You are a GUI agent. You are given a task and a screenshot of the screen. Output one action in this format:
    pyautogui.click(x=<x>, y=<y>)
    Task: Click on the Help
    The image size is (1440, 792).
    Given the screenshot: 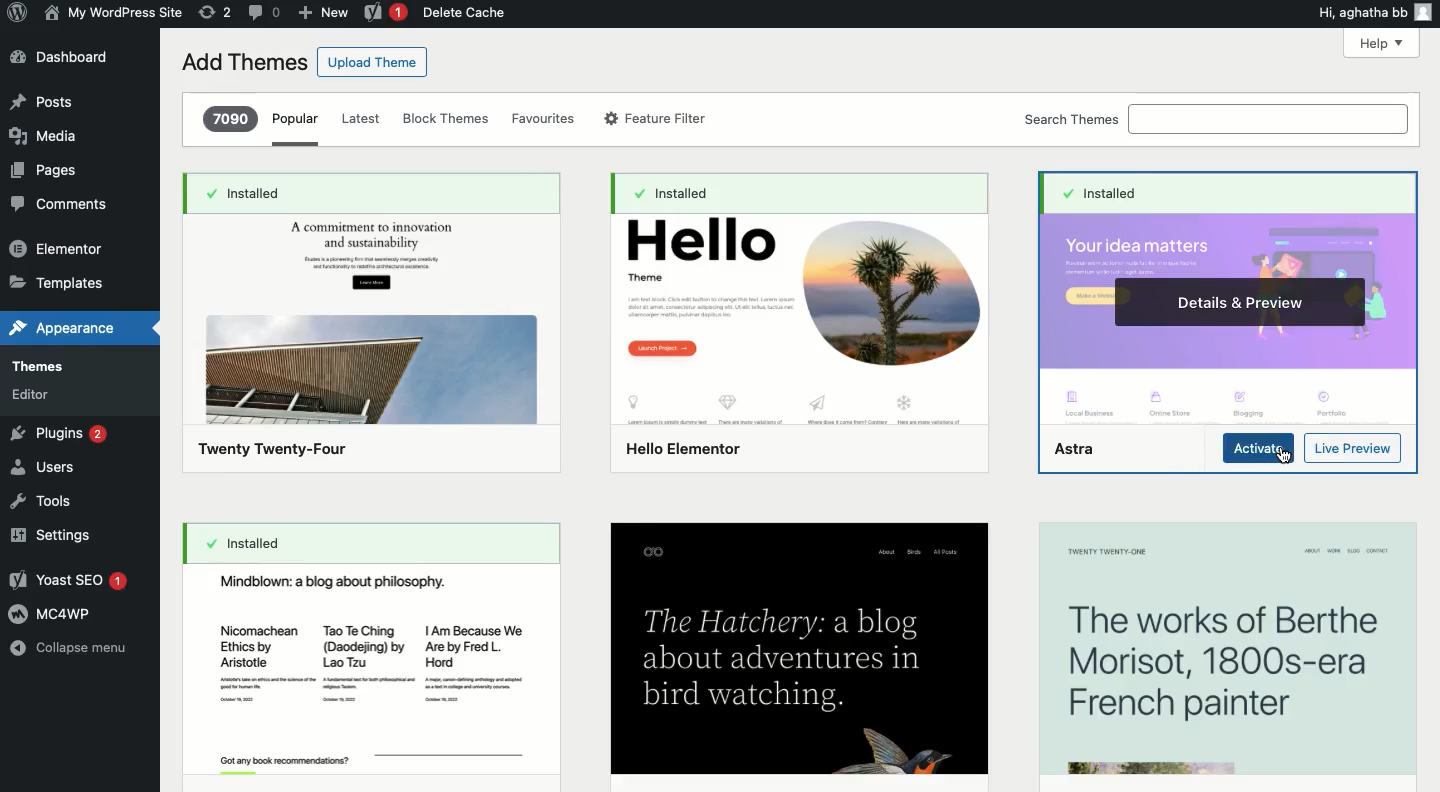 What is the action you would take?
    pyautogui.click(x=1385, y=44)
    